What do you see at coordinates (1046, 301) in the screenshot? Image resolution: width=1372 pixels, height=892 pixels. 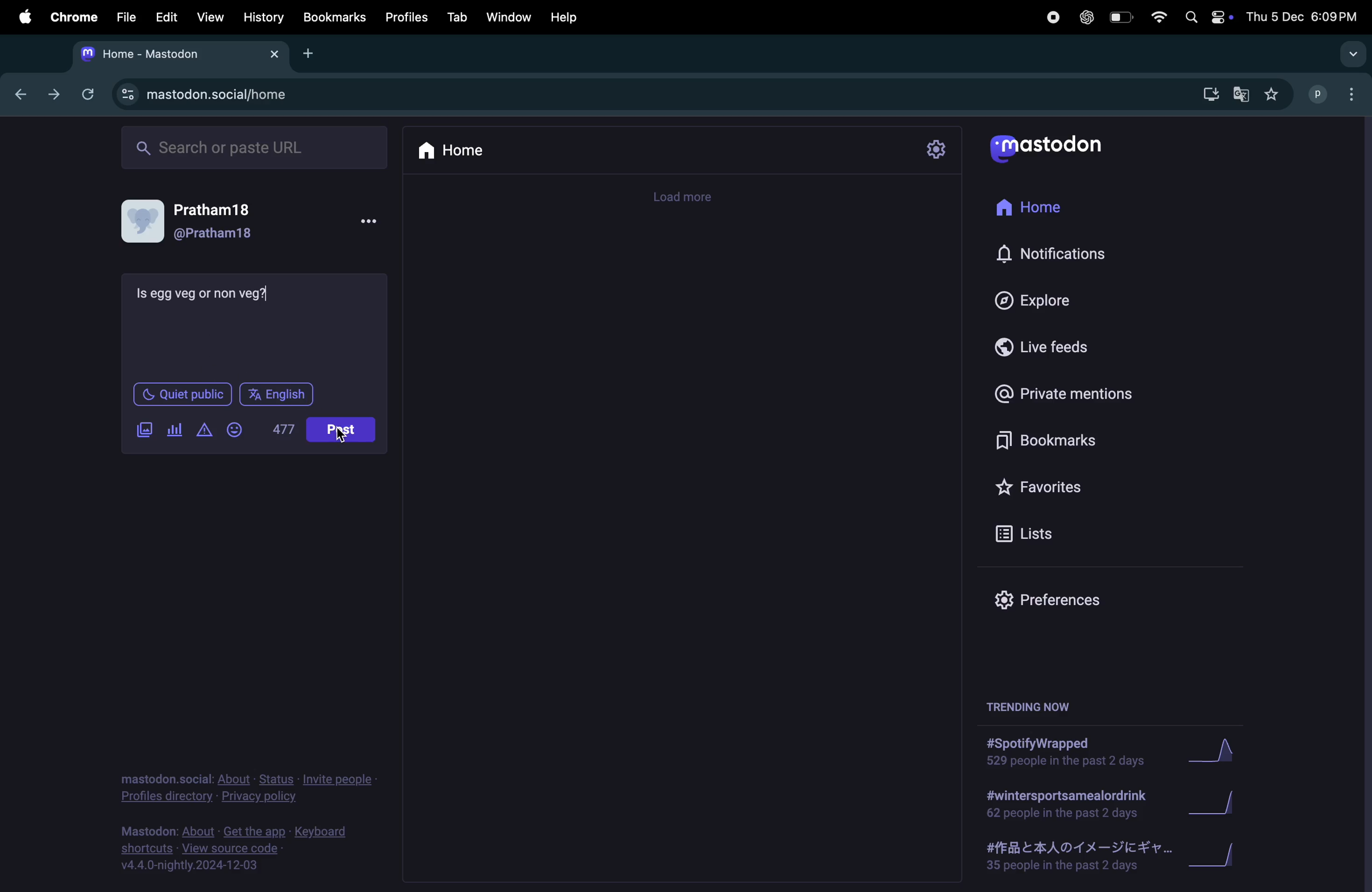 I see `Explore` at bounding box center [1046, 301].